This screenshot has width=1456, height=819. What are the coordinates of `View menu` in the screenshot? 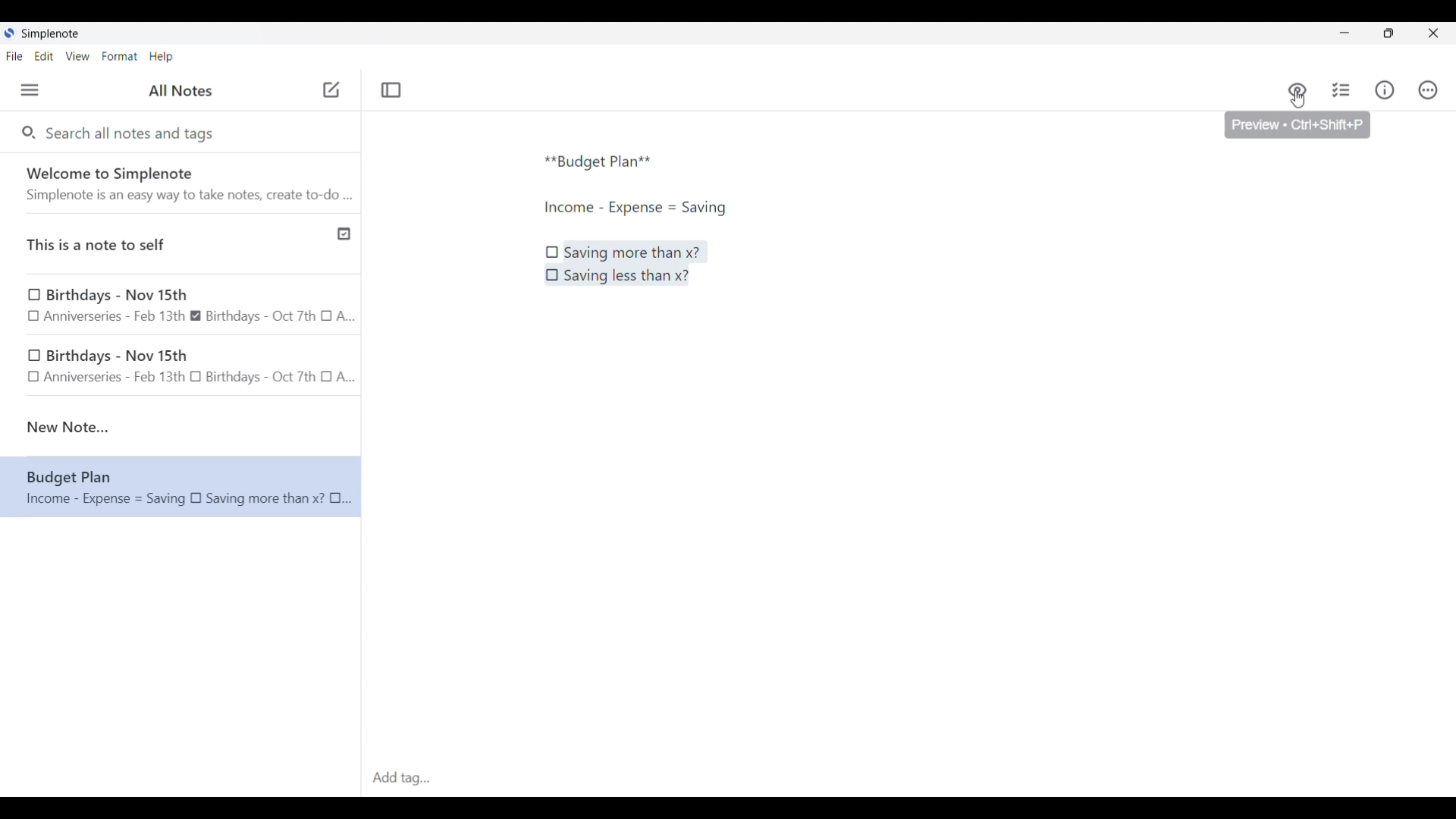 It's located at (78, 55).